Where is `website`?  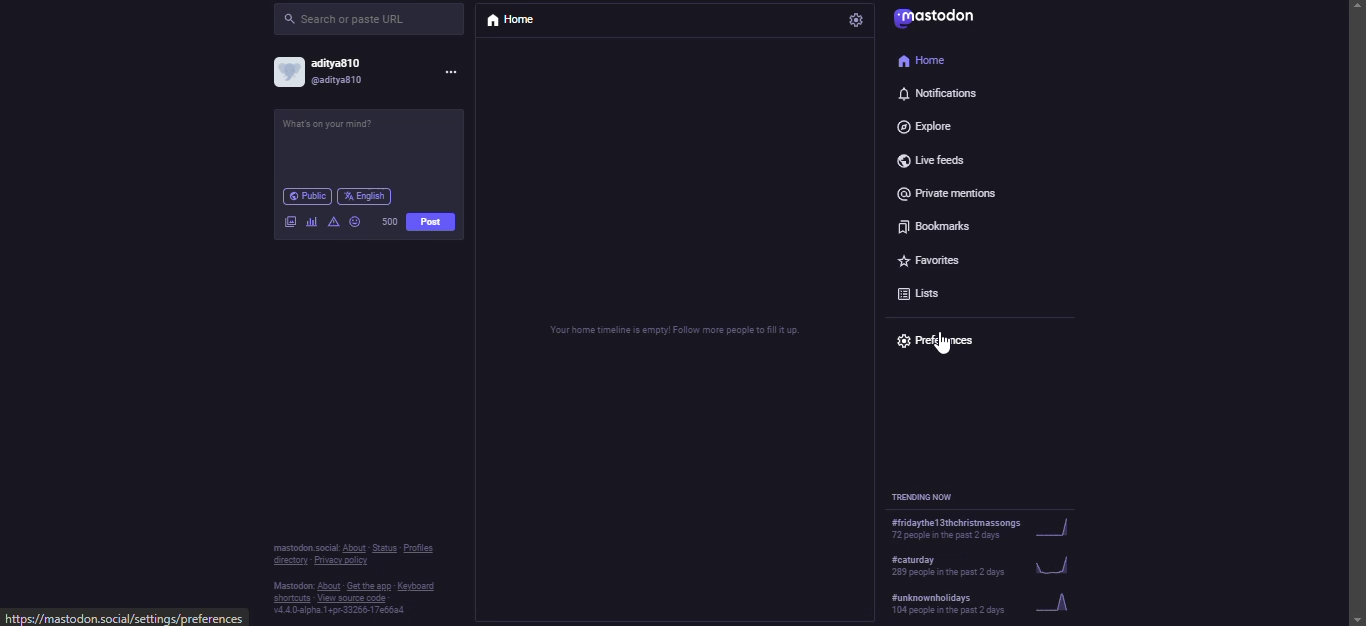 website is located at coordinates (127, 617).